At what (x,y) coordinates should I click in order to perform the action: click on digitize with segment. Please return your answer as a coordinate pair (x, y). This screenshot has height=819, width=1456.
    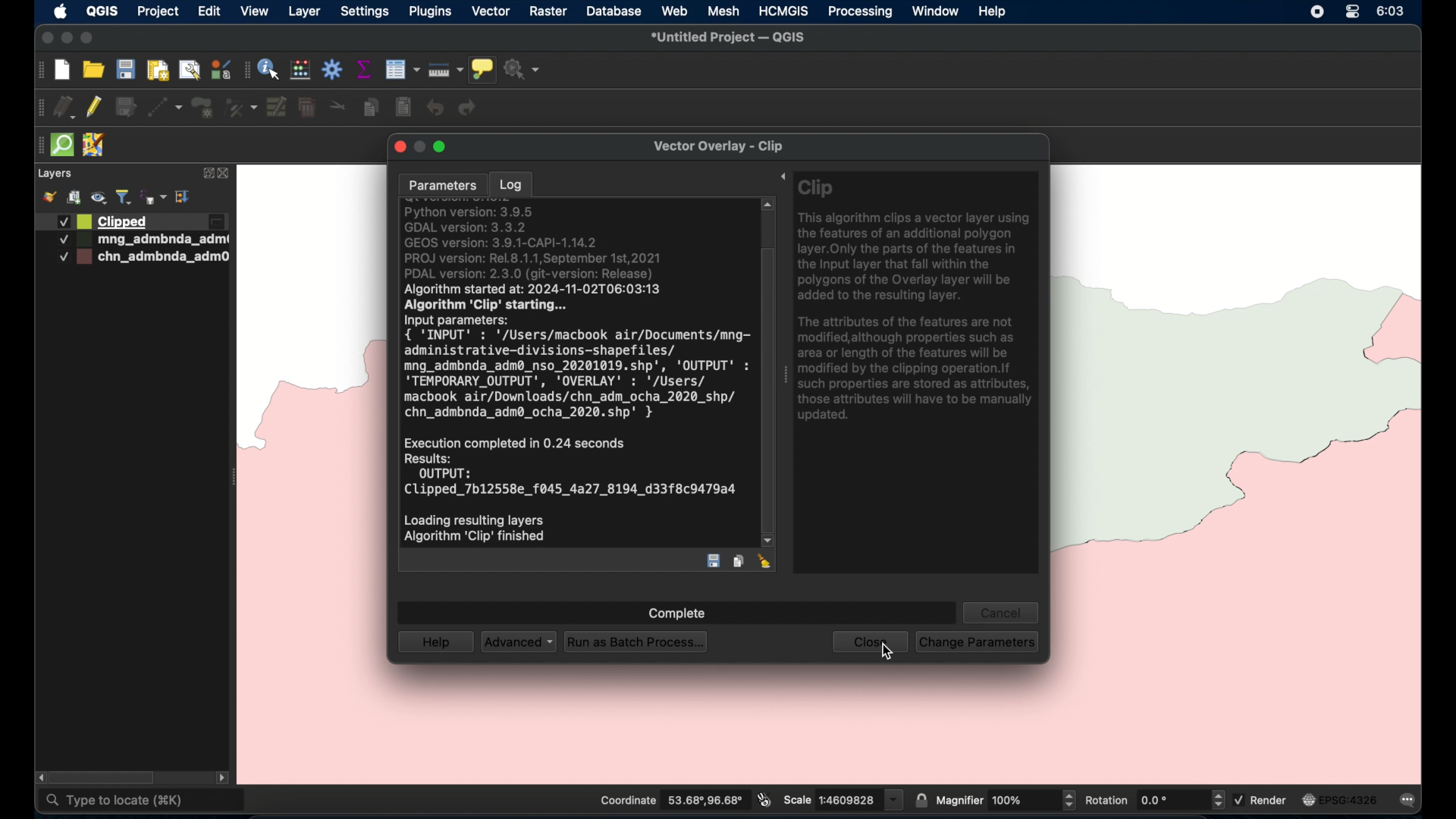
    Looking at the image, I should click on (165, 108).